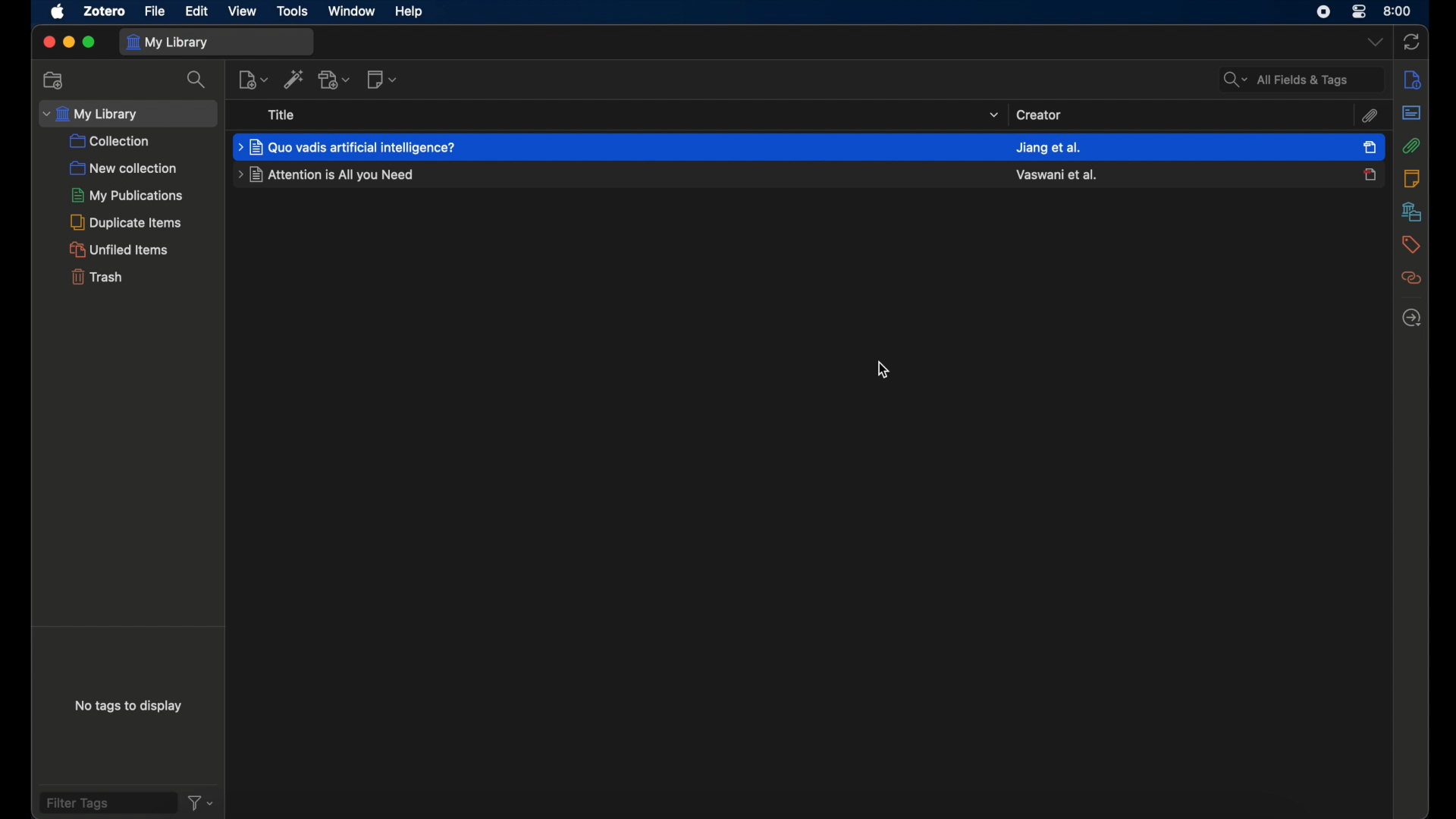  Describe the element at coordinates (1411, 179) in the screenshot. I see `notes` at that location.